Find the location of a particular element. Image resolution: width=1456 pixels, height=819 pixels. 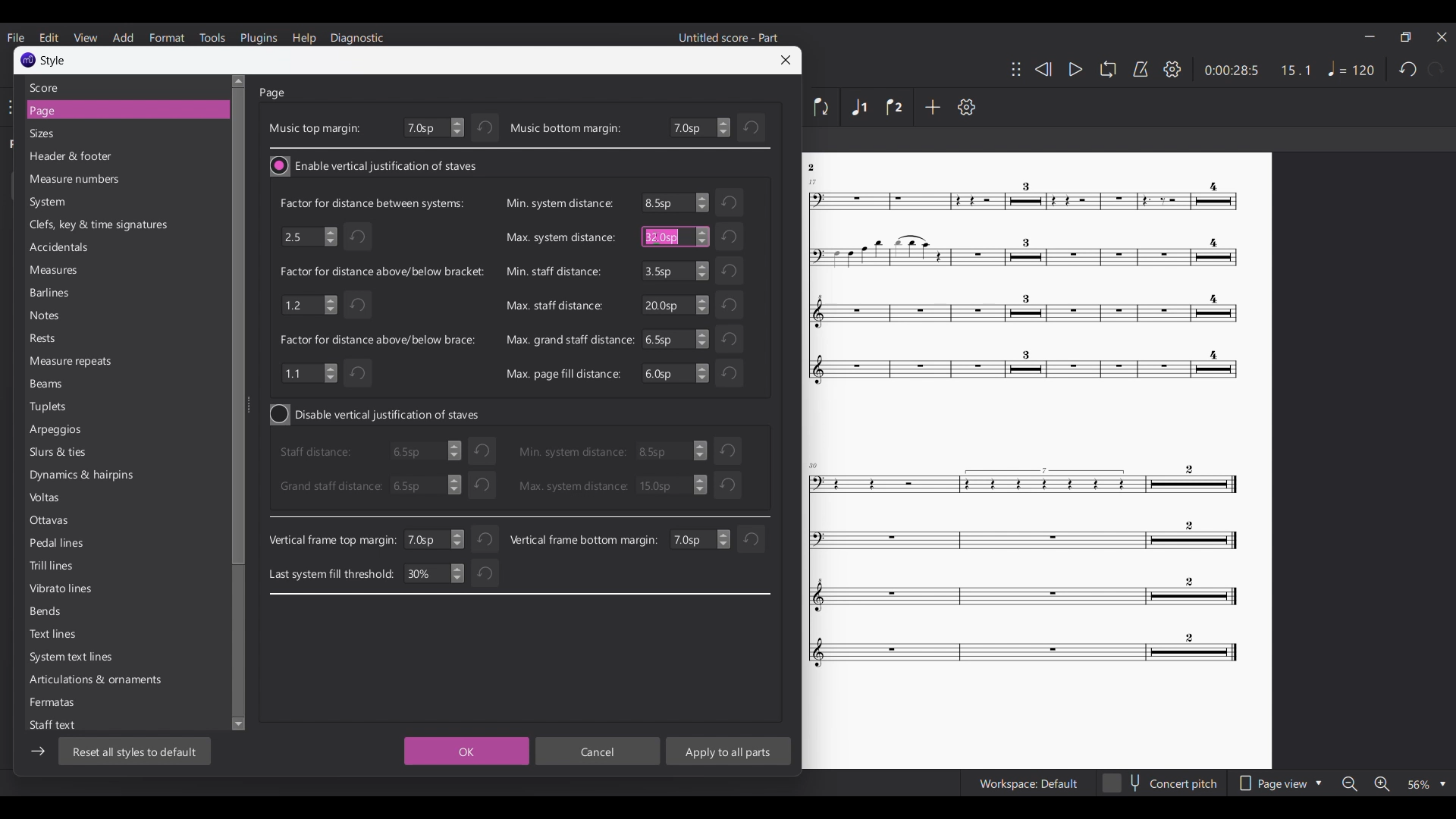

Undo is located at coordinates (359, 304).